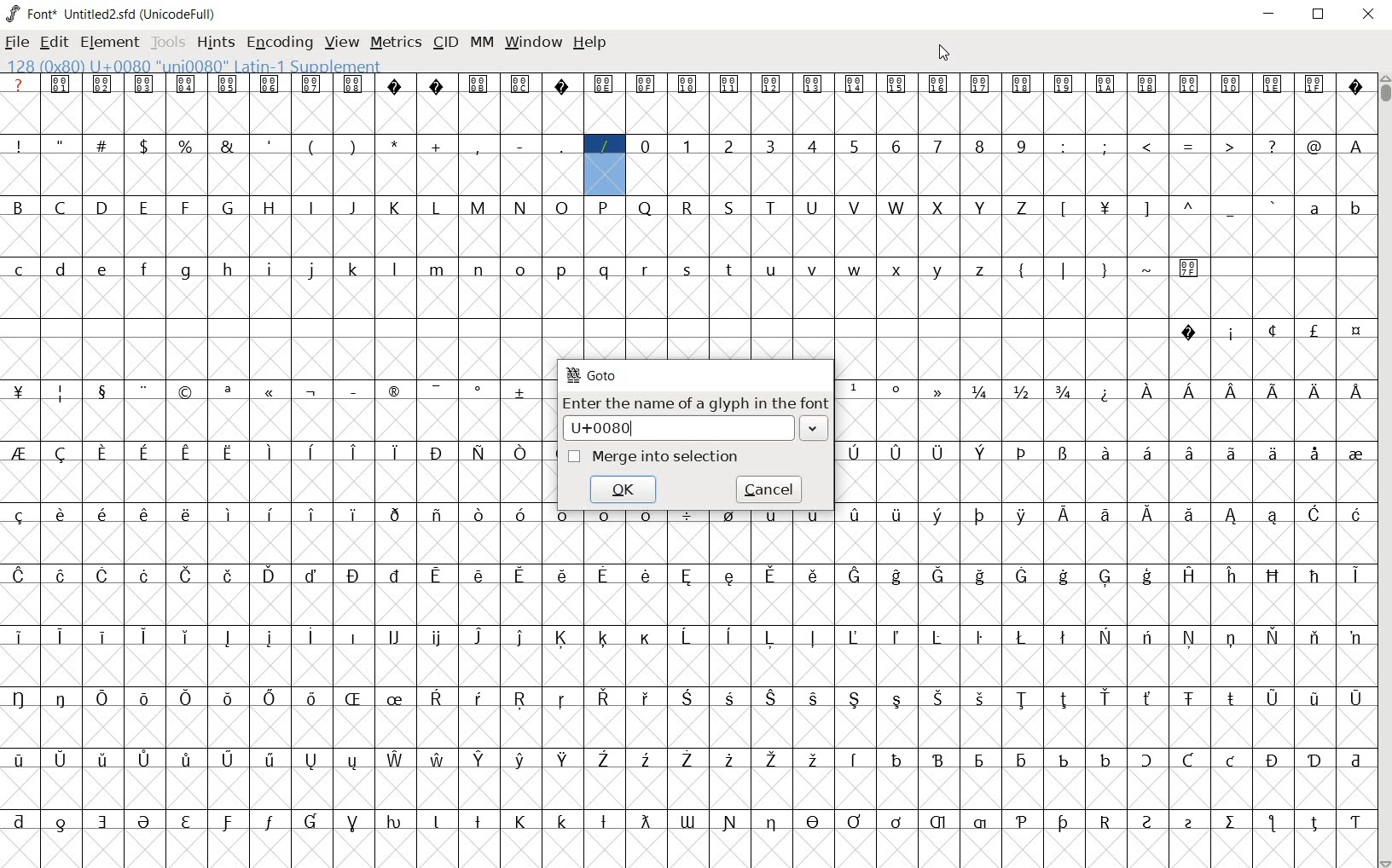 The width and height of the screenshot is (1392, 868). I want to click on glyph, so click(1190, 148).